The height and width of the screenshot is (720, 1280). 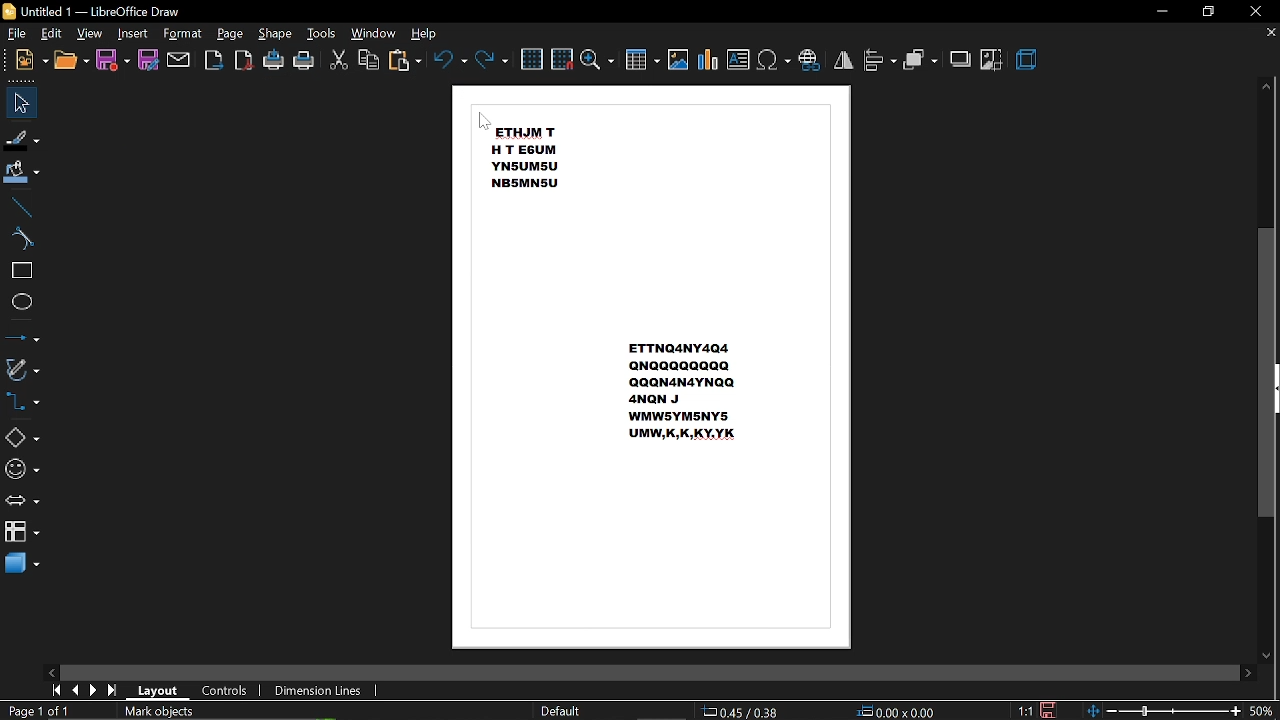 I want to click on dimension lines, so click(x=318, y=690).